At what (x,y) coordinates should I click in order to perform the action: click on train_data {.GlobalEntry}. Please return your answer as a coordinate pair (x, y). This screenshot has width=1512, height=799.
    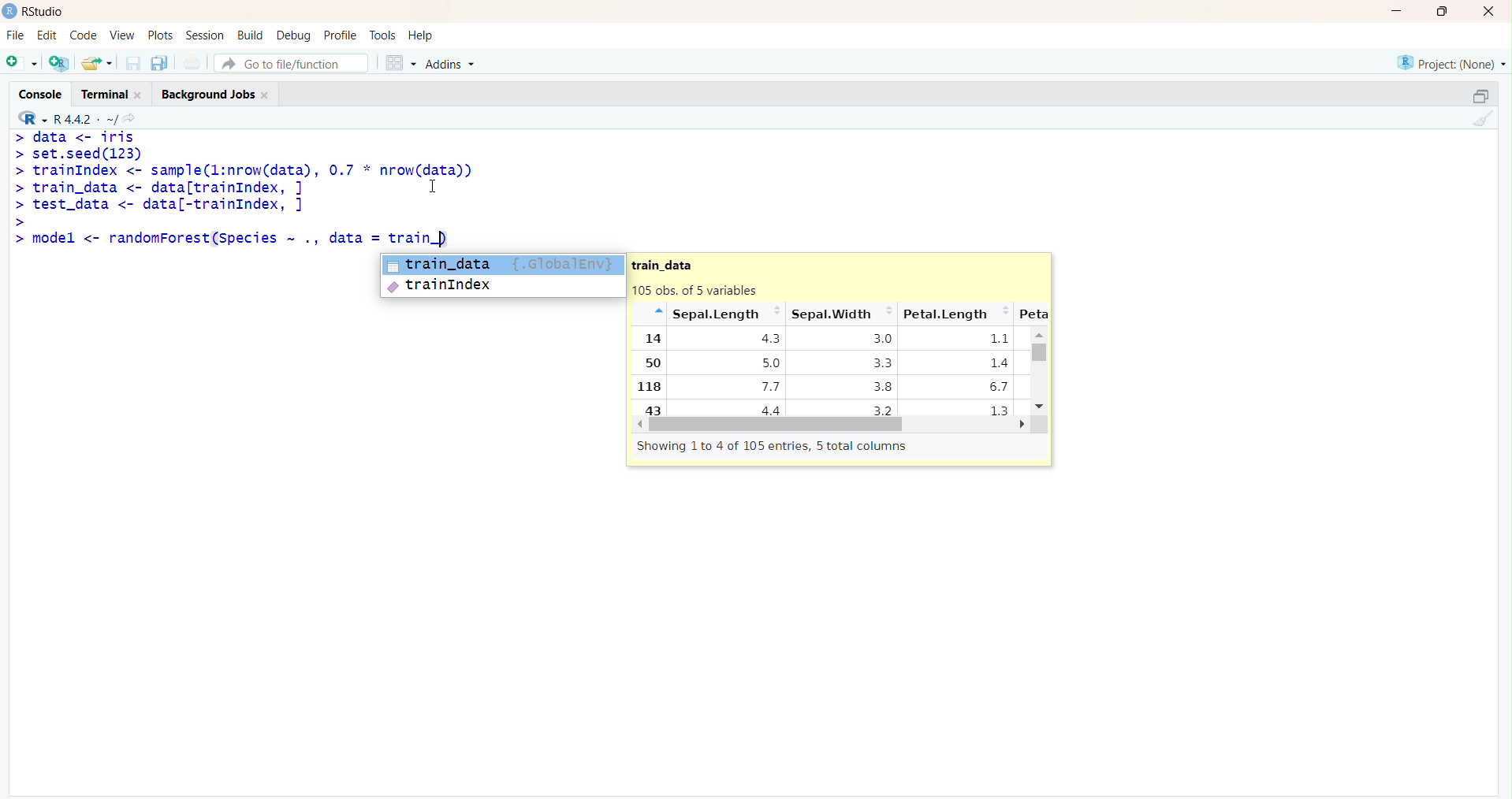
    Looking at the image, I should click on (501, 263).